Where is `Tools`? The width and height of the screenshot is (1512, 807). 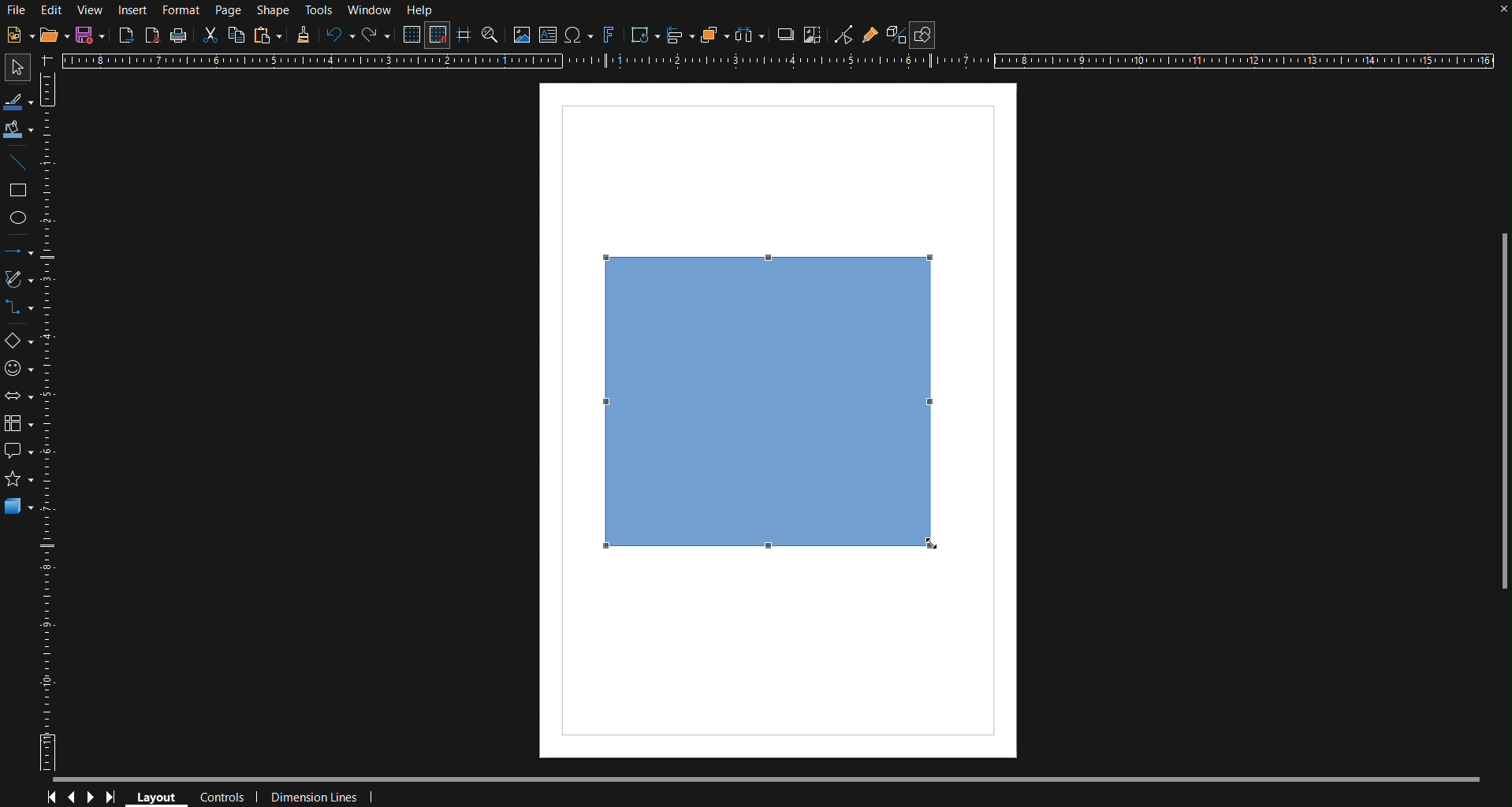 Tools is located at coordinates (321, 11).